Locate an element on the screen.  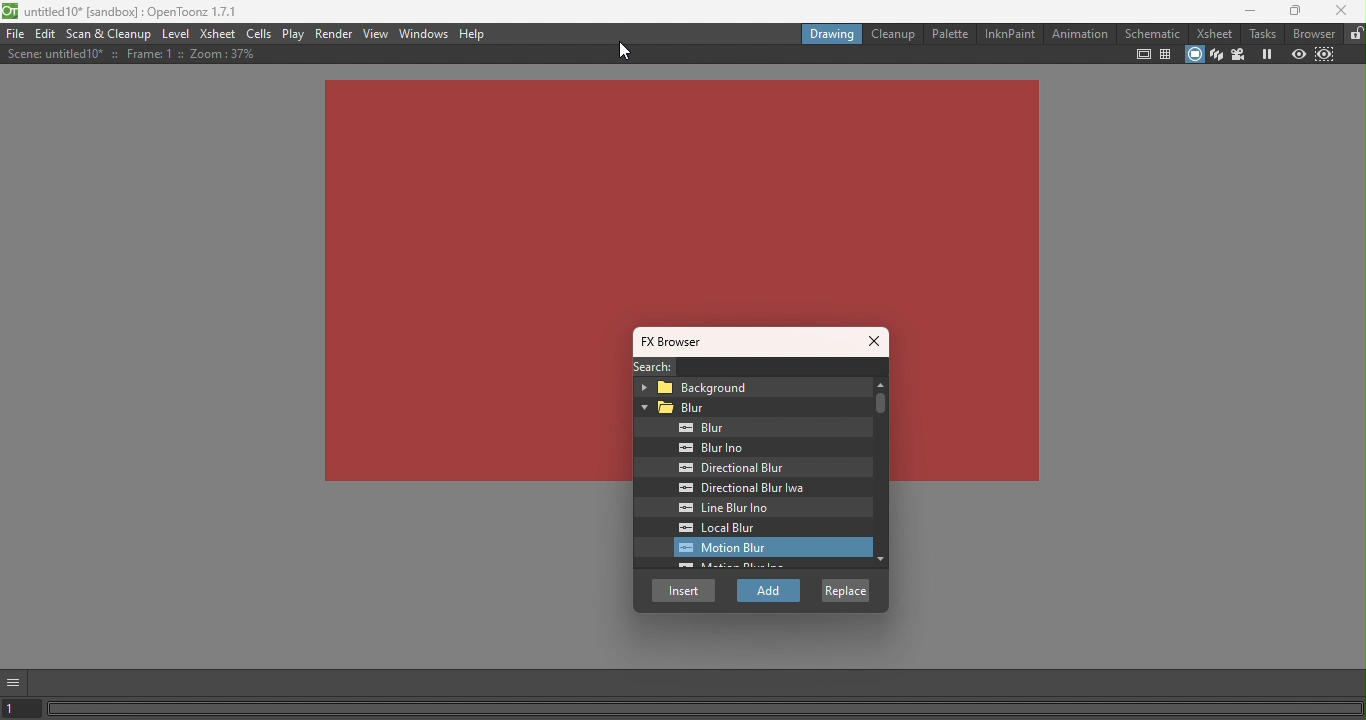
Set the current frame is located at coordinates (21, 710).